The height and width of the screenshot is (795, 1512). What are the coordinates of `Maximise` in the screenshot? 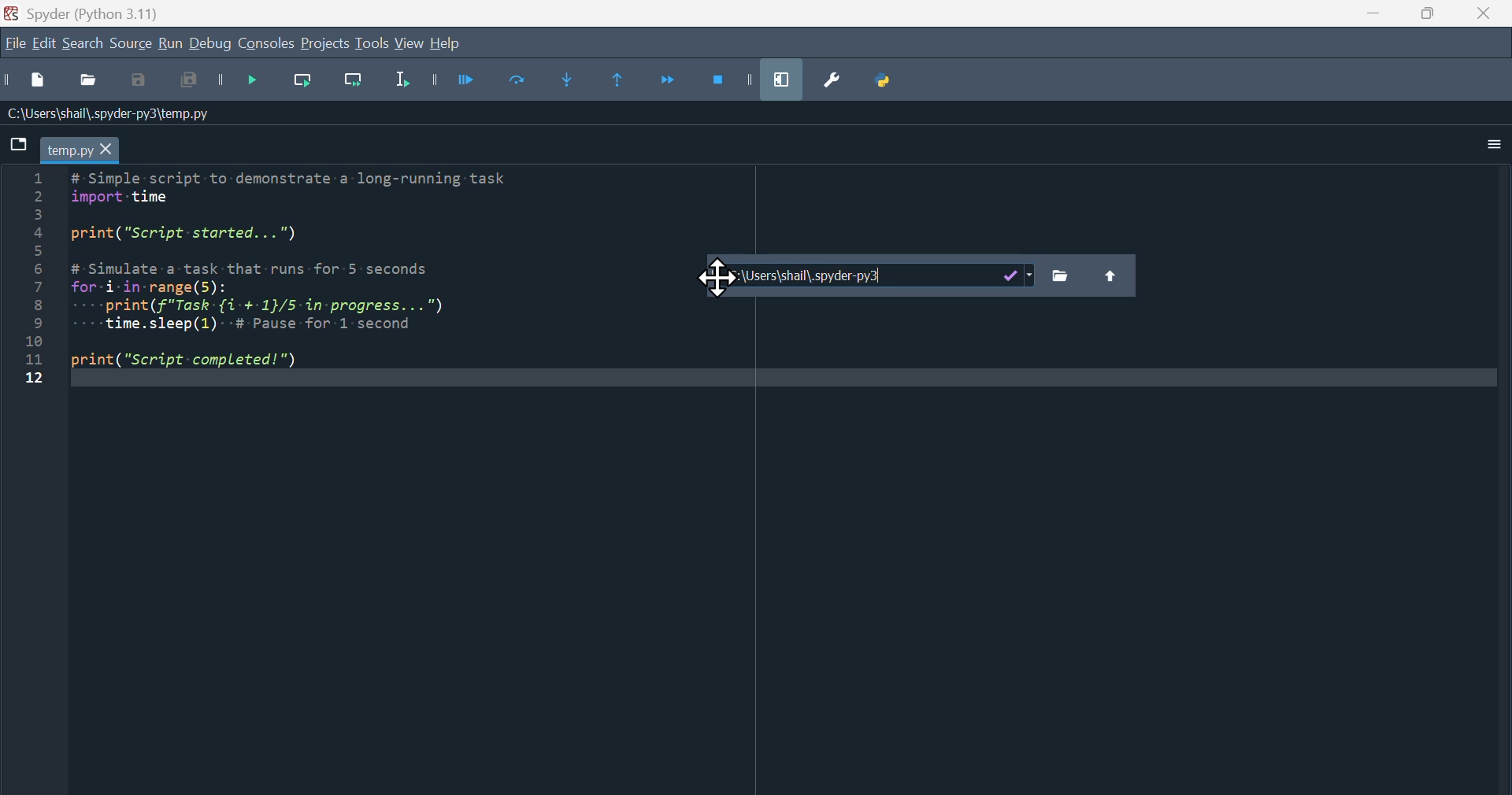 It's located at (1430, 18).